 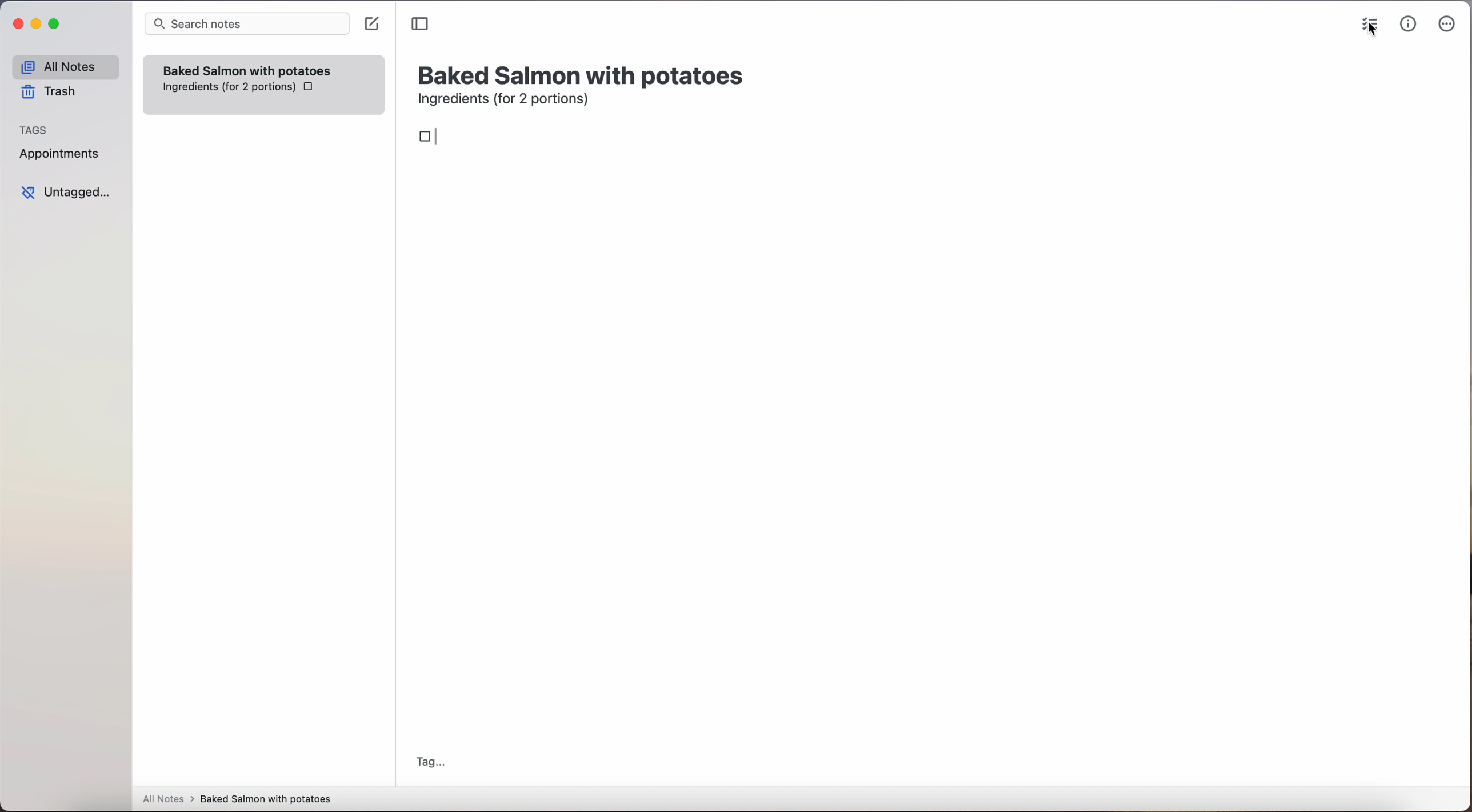 I want to click on title, so click(x=583, y=74).